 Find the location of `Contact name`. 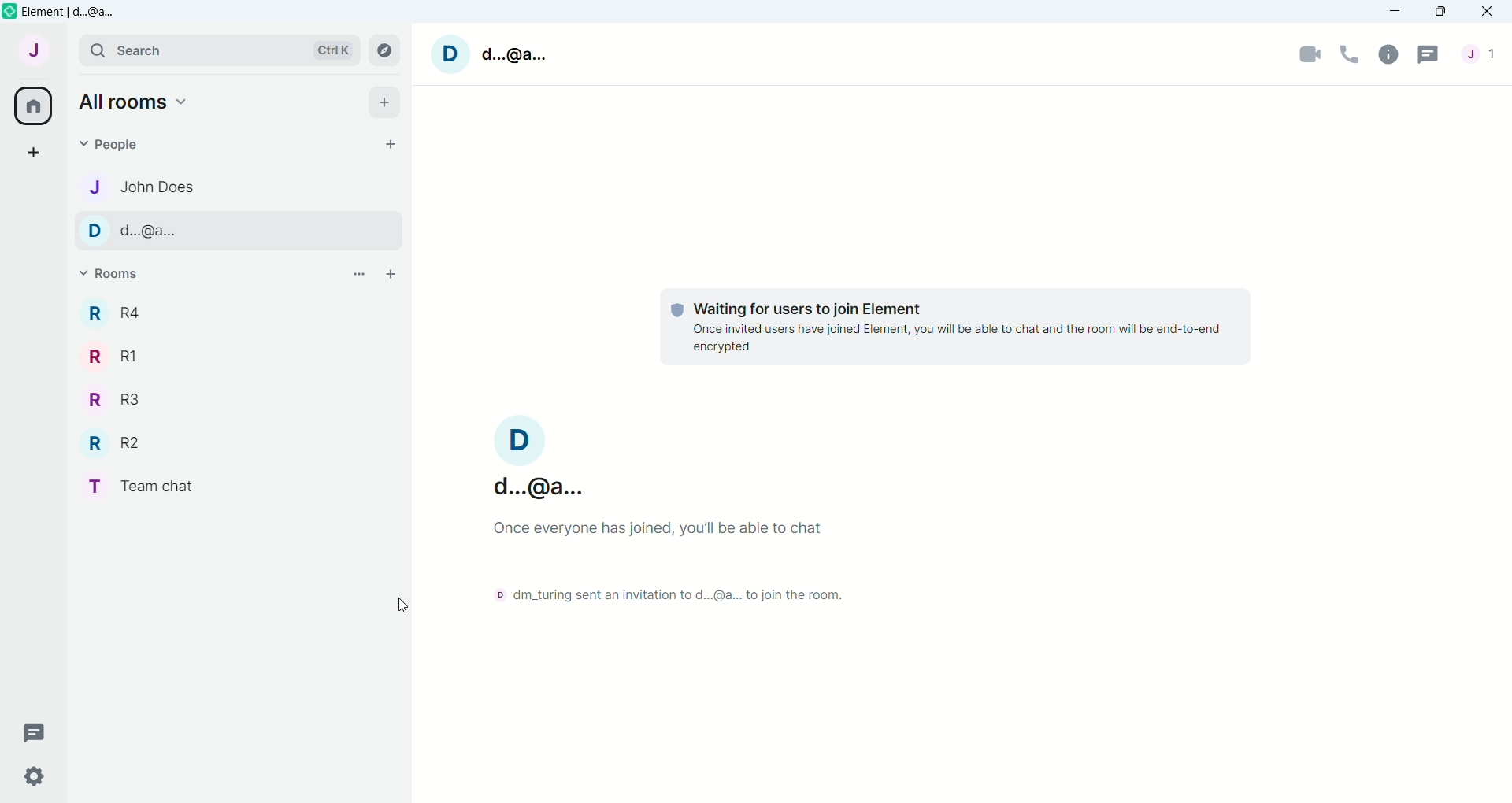

Contact name is located at coordinates (168, 185).